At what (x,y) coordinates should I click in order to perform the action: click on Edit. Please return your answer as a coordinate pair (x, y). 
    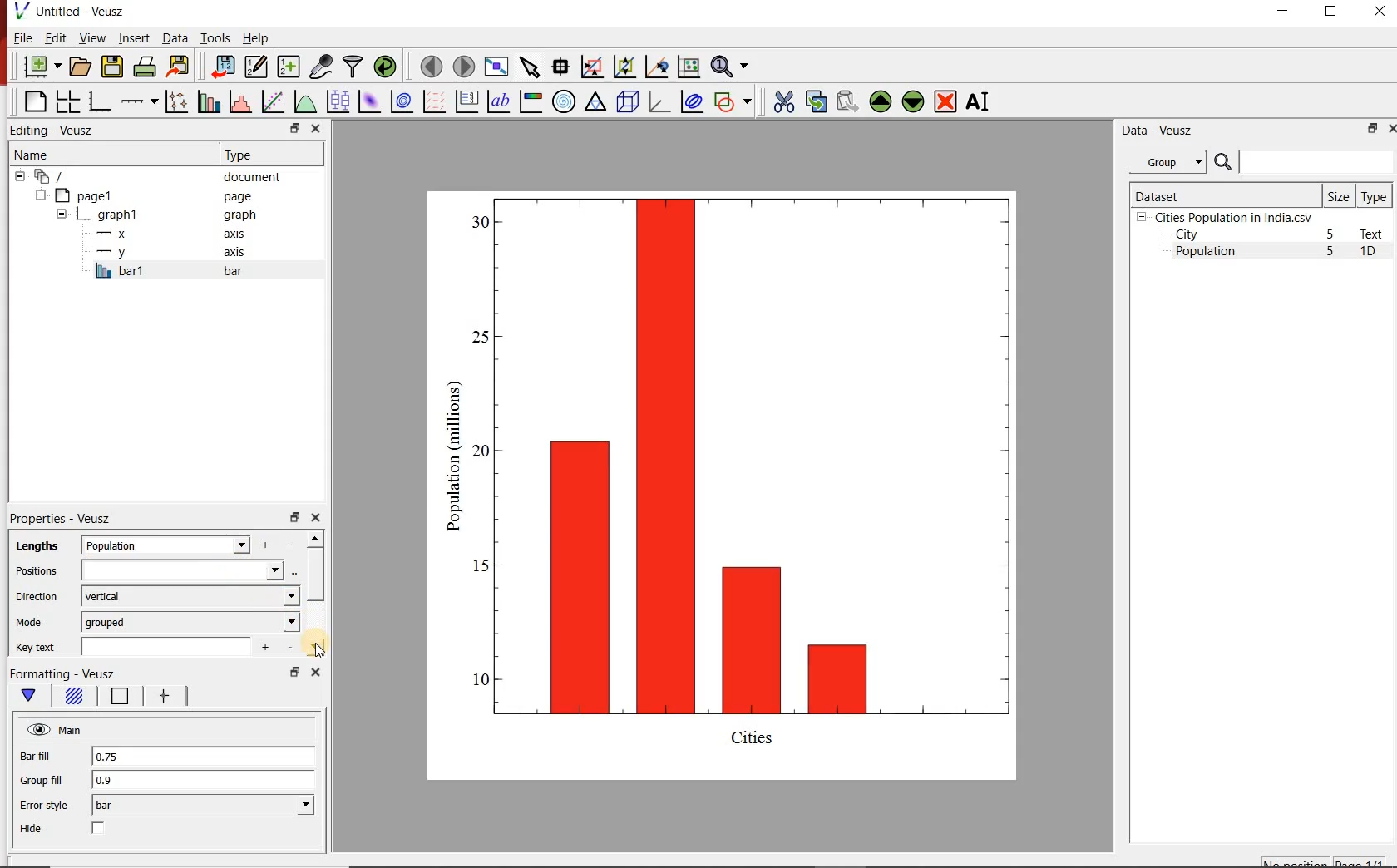
    Looking at the image, I should click on (54, 38).